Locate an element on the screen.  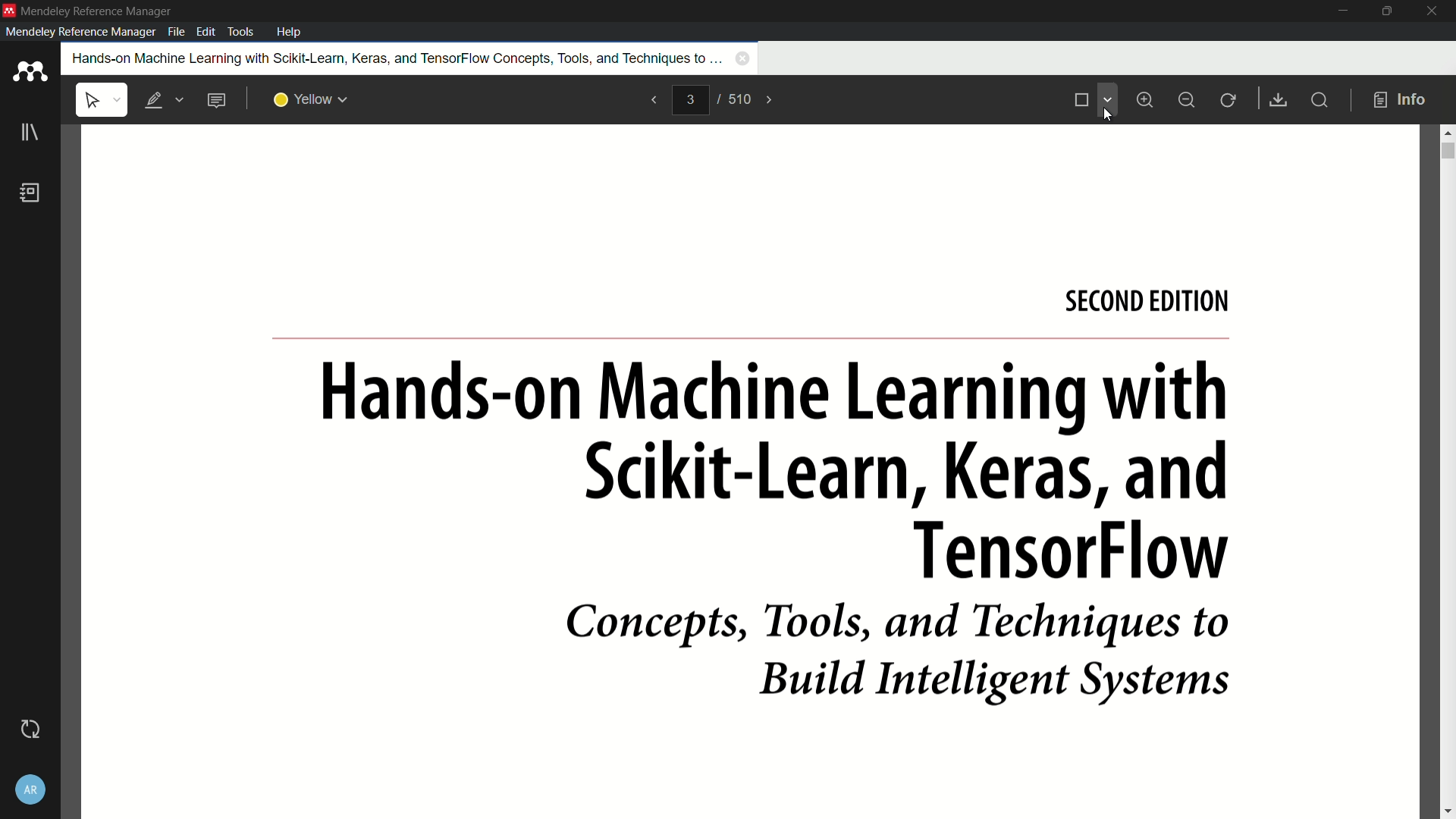
help menu is located at coordinates (290, 31).